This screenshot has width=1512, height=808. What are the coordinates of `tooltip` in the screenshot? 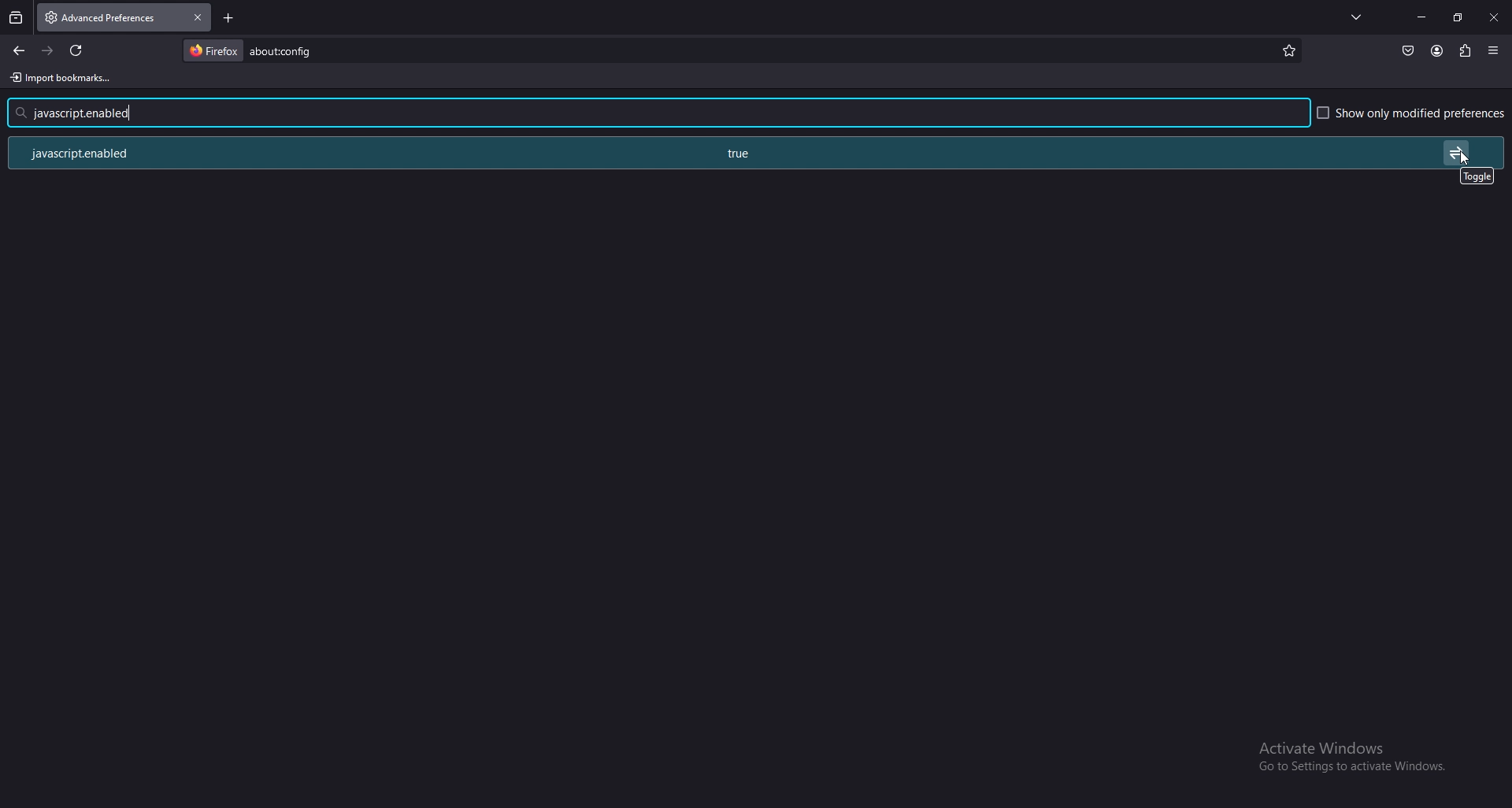 It's located at (1478, 176).